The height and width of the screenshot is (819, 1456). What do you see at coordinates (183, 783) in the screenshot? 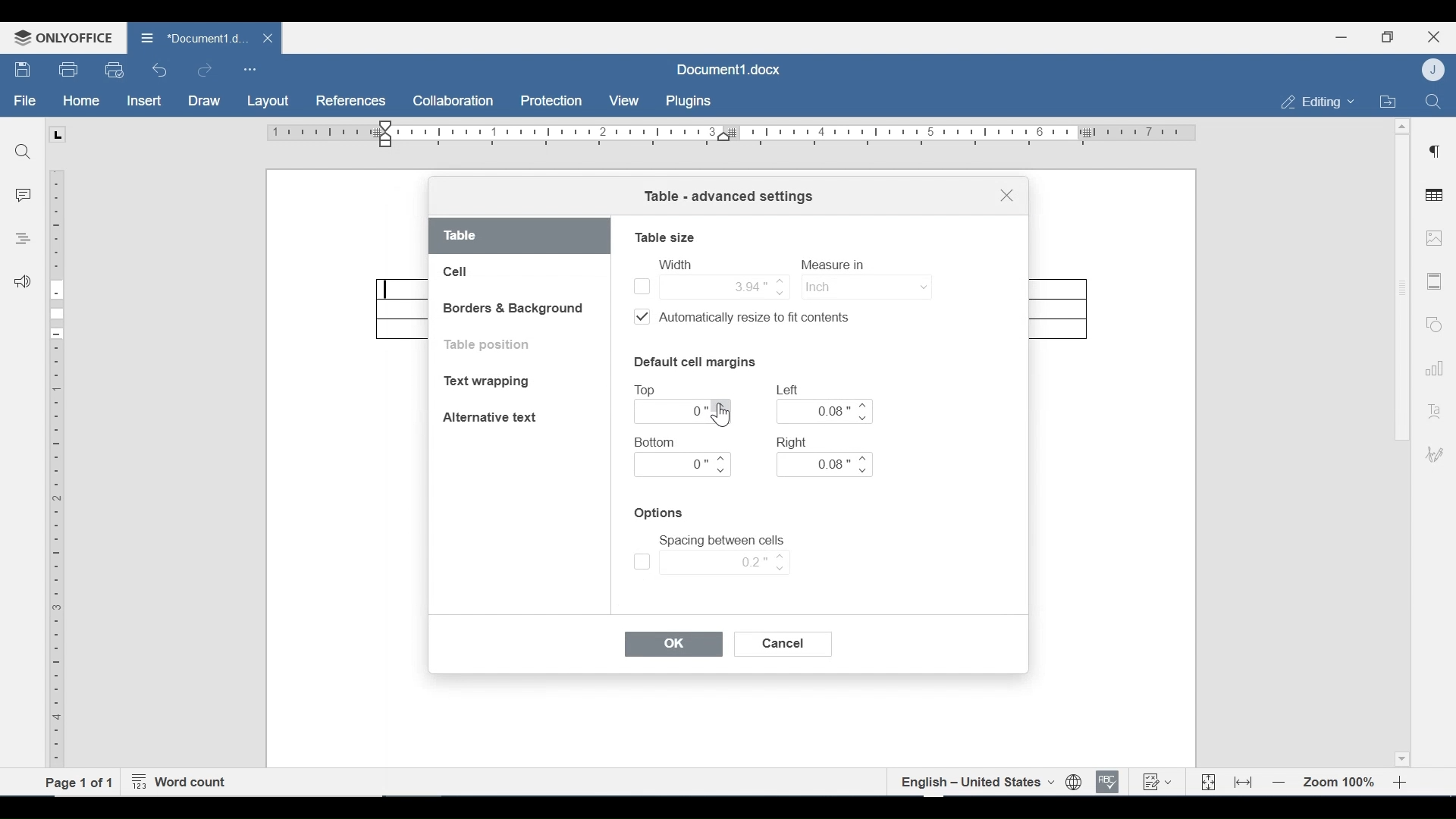
I see `Word Count` at bounding box center [183, 783].